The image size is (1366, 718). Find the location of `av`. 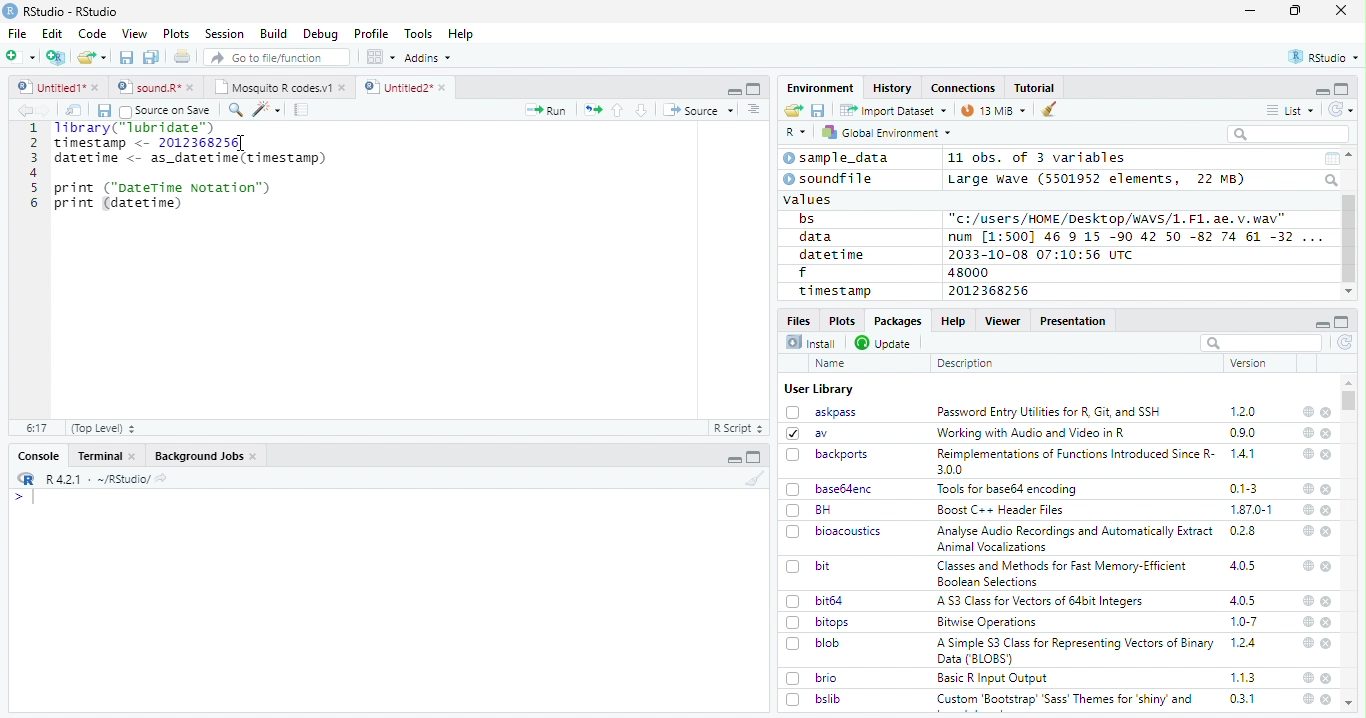

av is located at coordinates (807, 432).